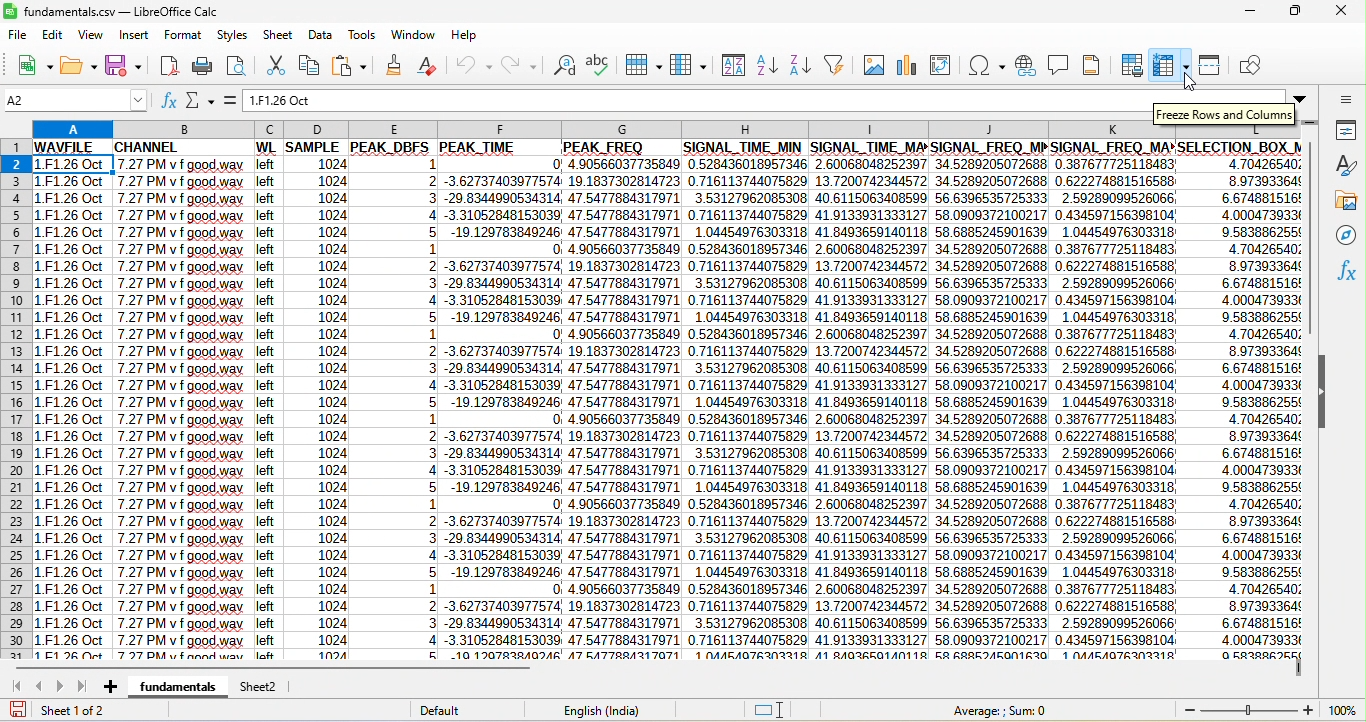 This screenshot has height=722, width=1366. I want to click on freeze row and column, so click(1176, 62).